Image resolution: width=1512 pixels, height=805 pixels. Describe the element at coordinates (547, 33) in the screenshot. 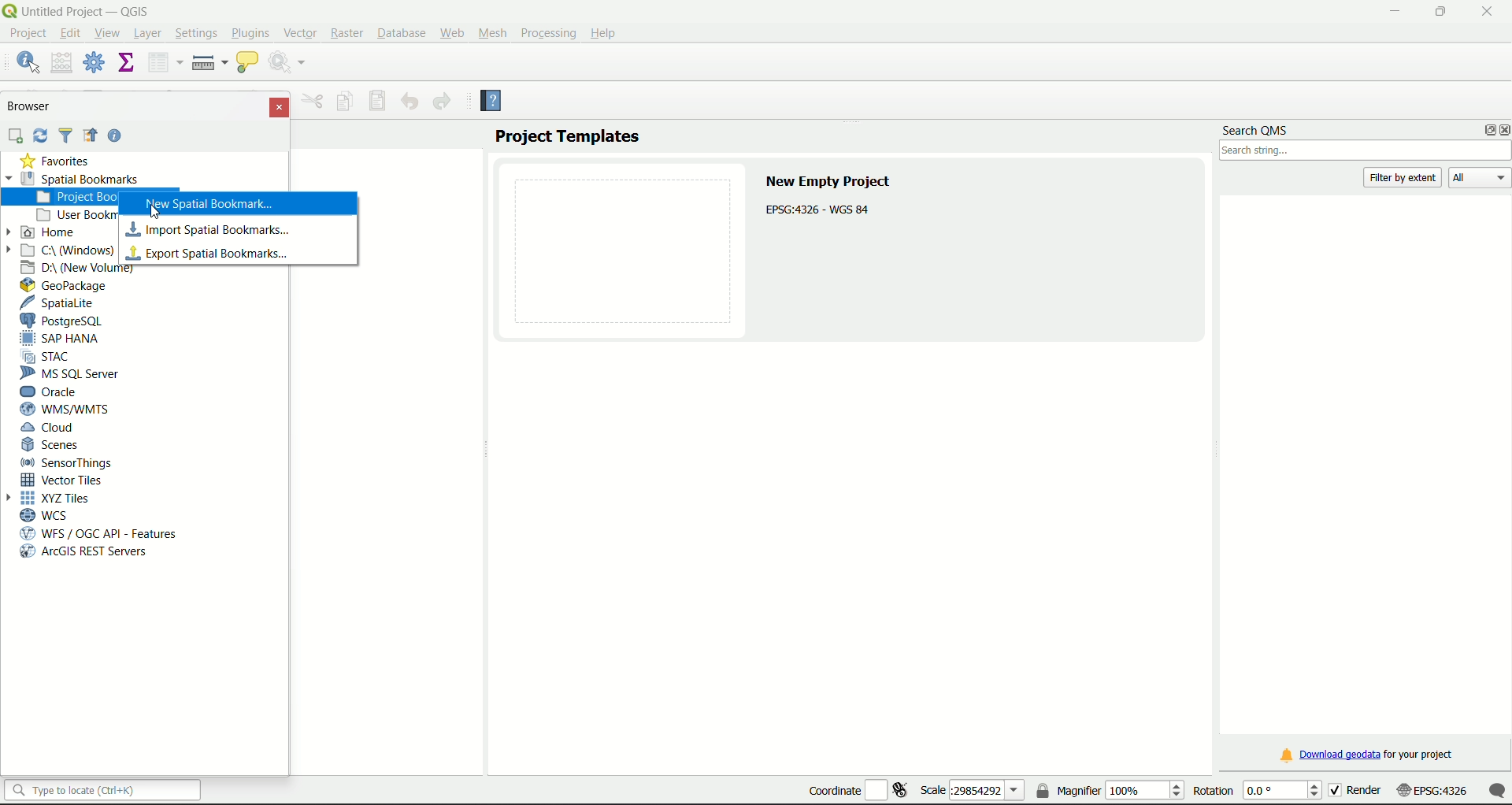

I see `Processing` at that location.